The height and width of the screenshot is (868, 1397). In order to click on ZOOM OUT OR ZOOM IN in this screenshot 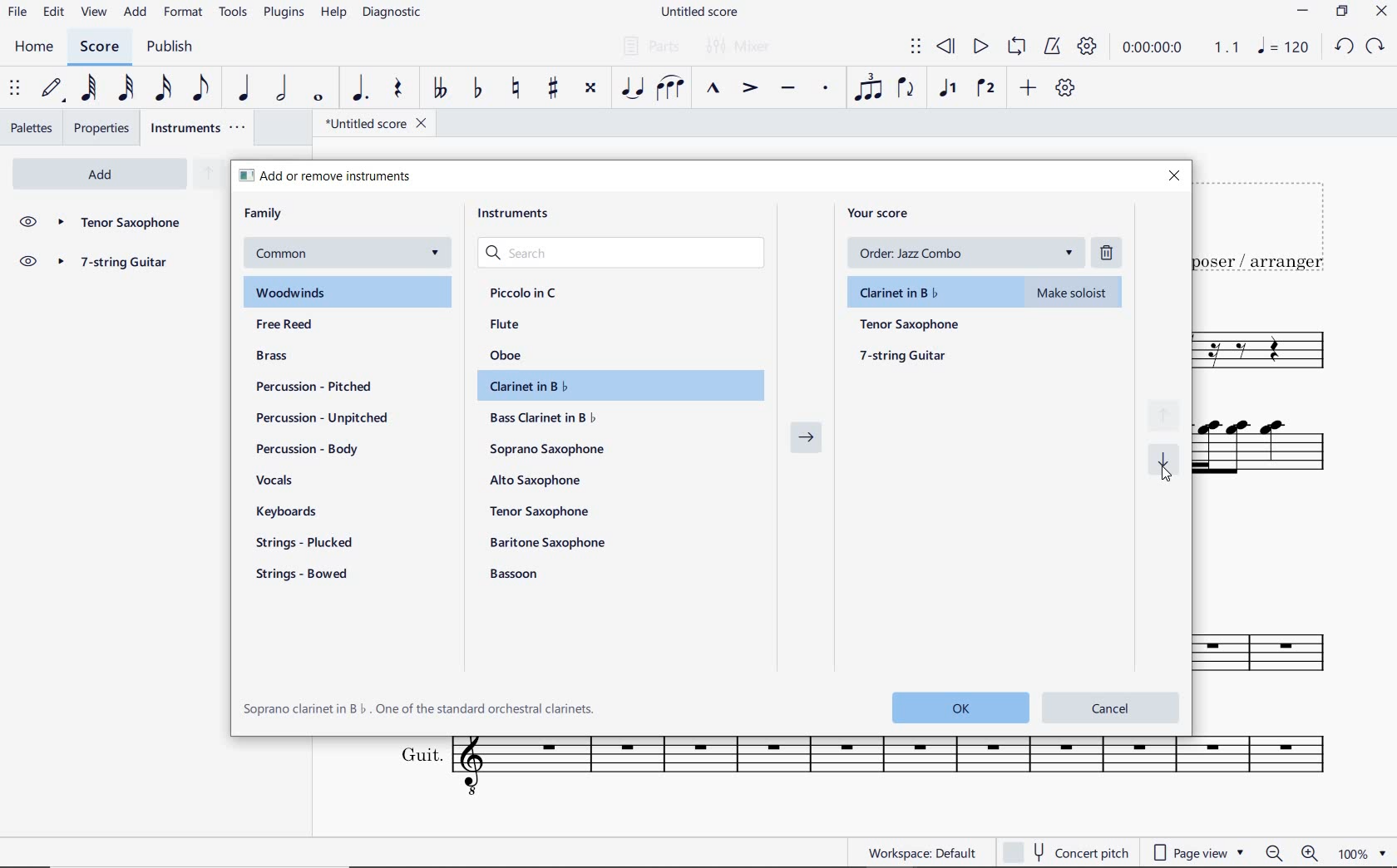, I will do `click(1293, 853)`.